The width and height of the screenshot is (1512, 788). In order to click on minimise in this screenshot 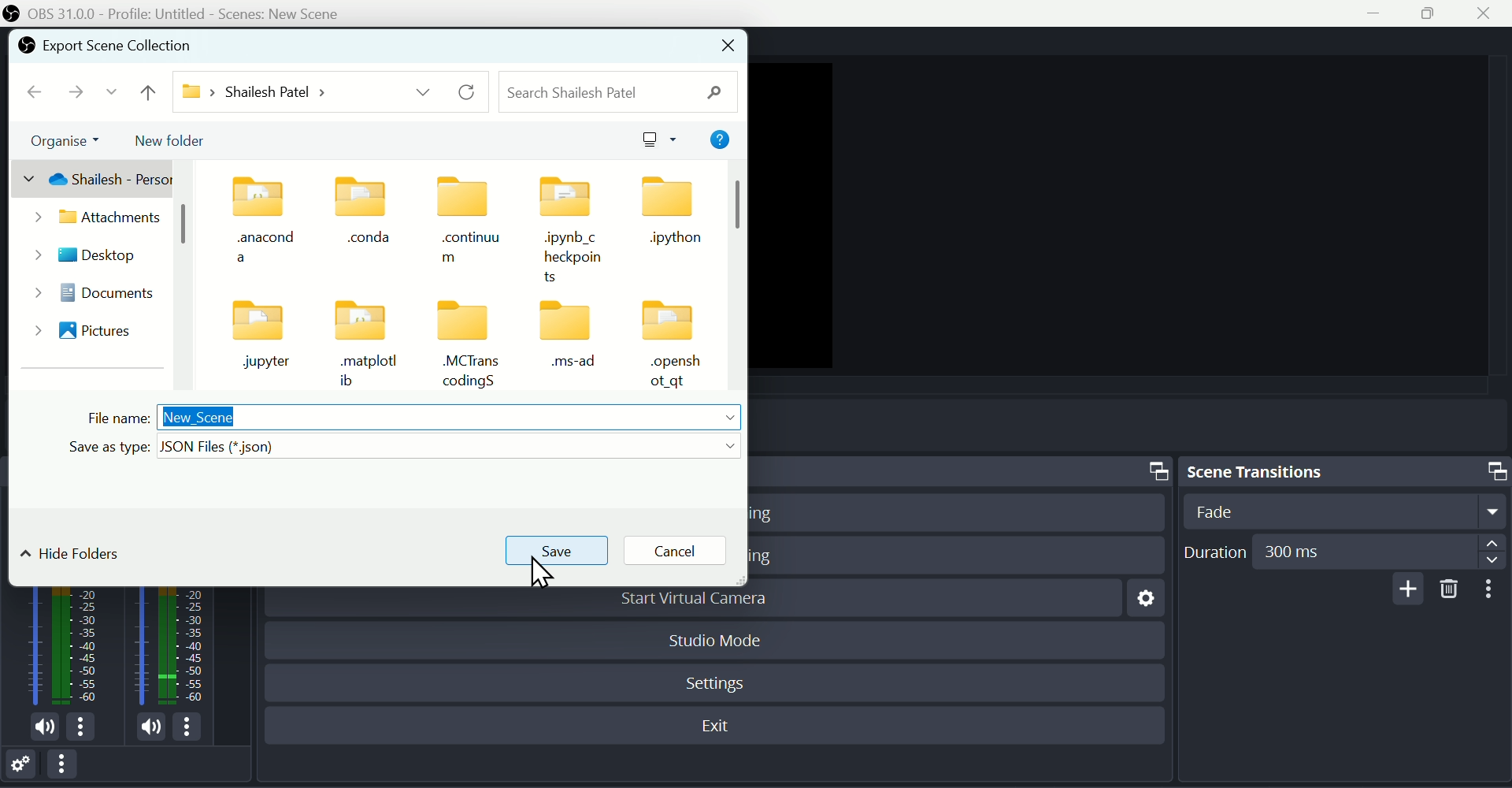, I will do `click(1379, 15)`.